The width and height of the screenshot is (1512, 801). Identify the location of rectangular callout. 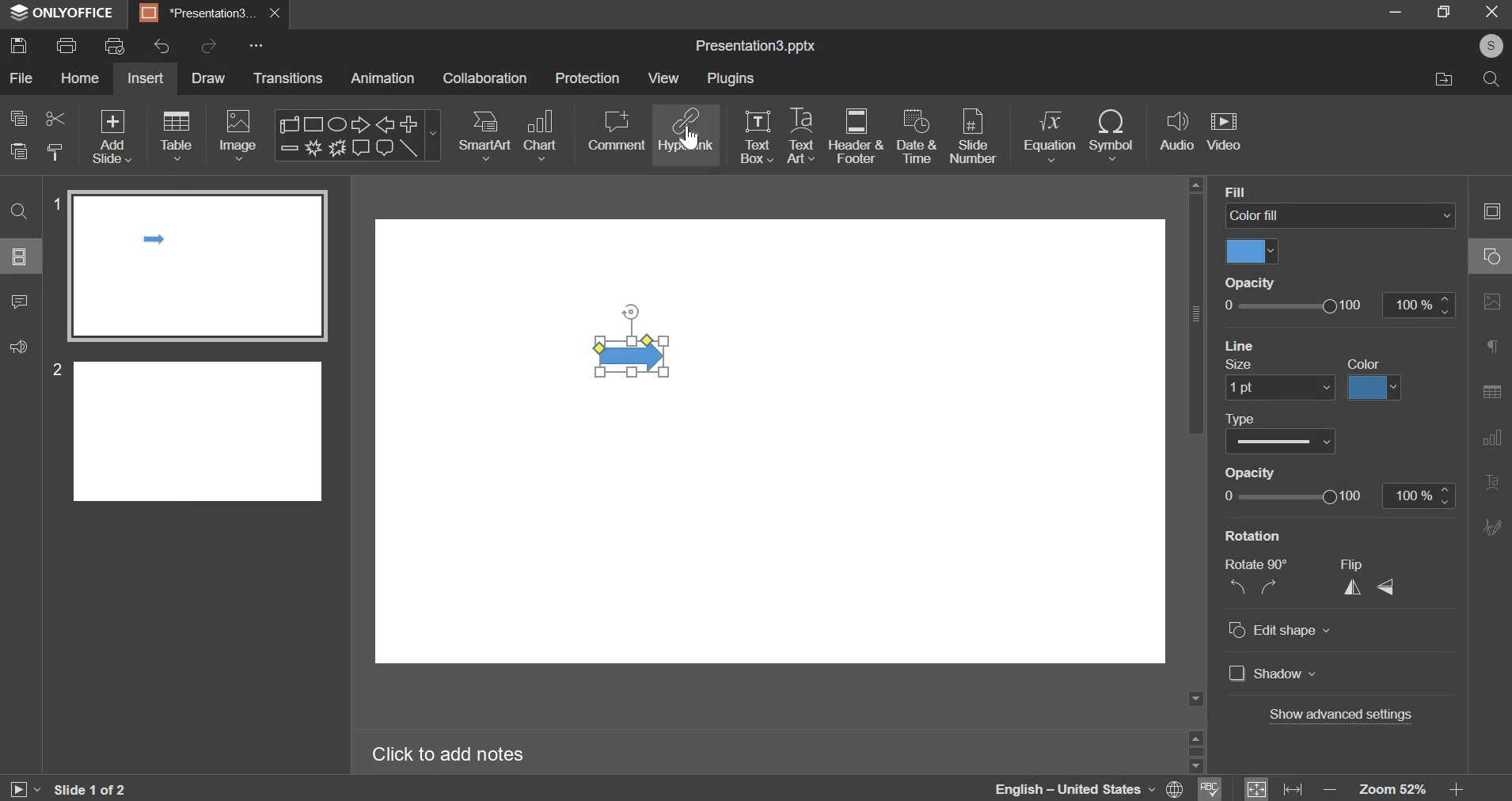
(360, 148).